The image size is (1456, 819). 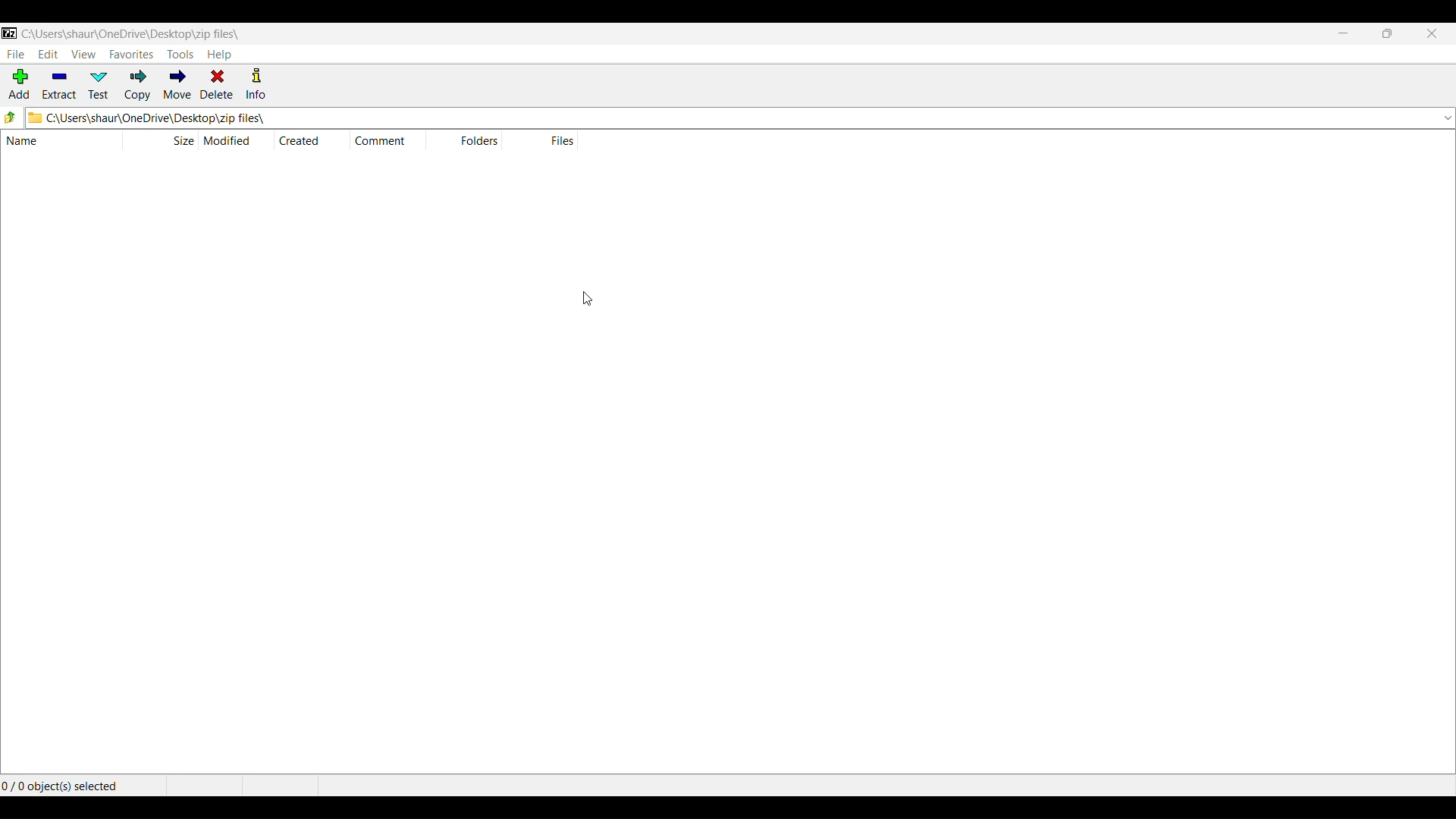 I want to click on MOVE TO PARENT FOLDER, so click(x=11, y=118).